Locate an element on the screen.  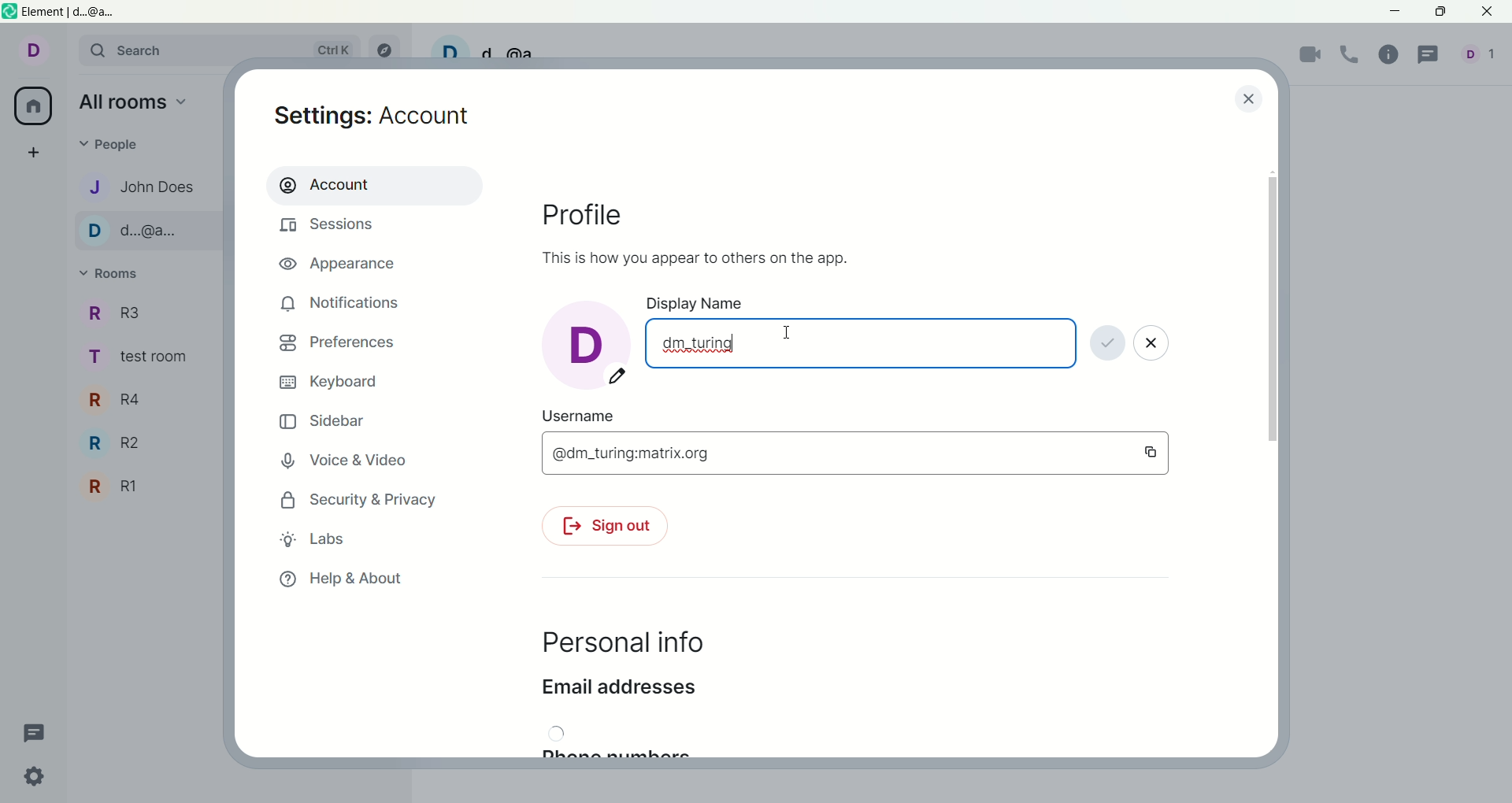
rooms is located at coordinates (115, 275).